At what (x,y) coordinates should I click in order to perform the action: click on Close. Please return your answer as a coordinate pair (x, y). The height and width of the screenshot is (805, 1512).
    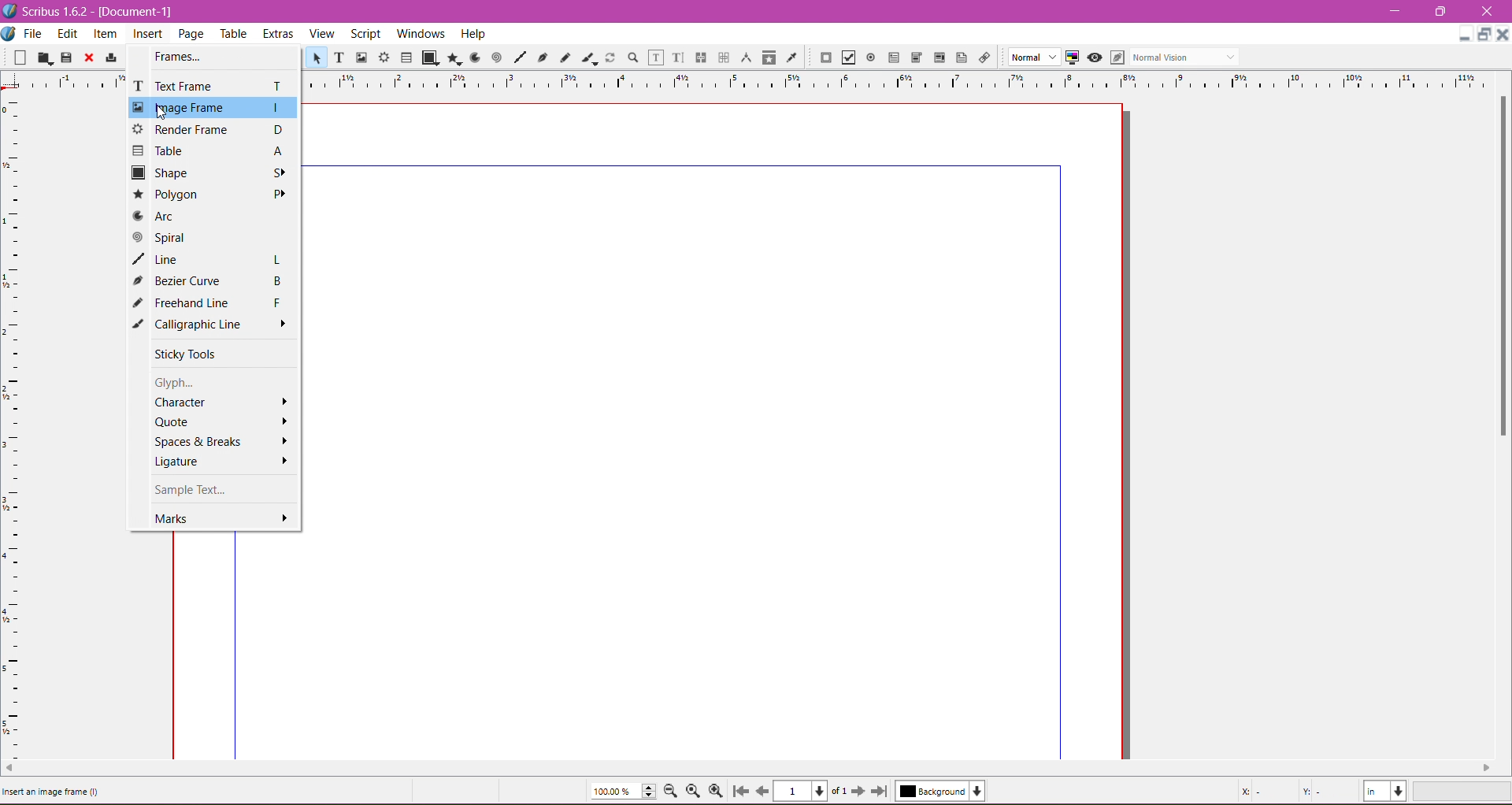
    Looking at the image, I should click on (89, 58).